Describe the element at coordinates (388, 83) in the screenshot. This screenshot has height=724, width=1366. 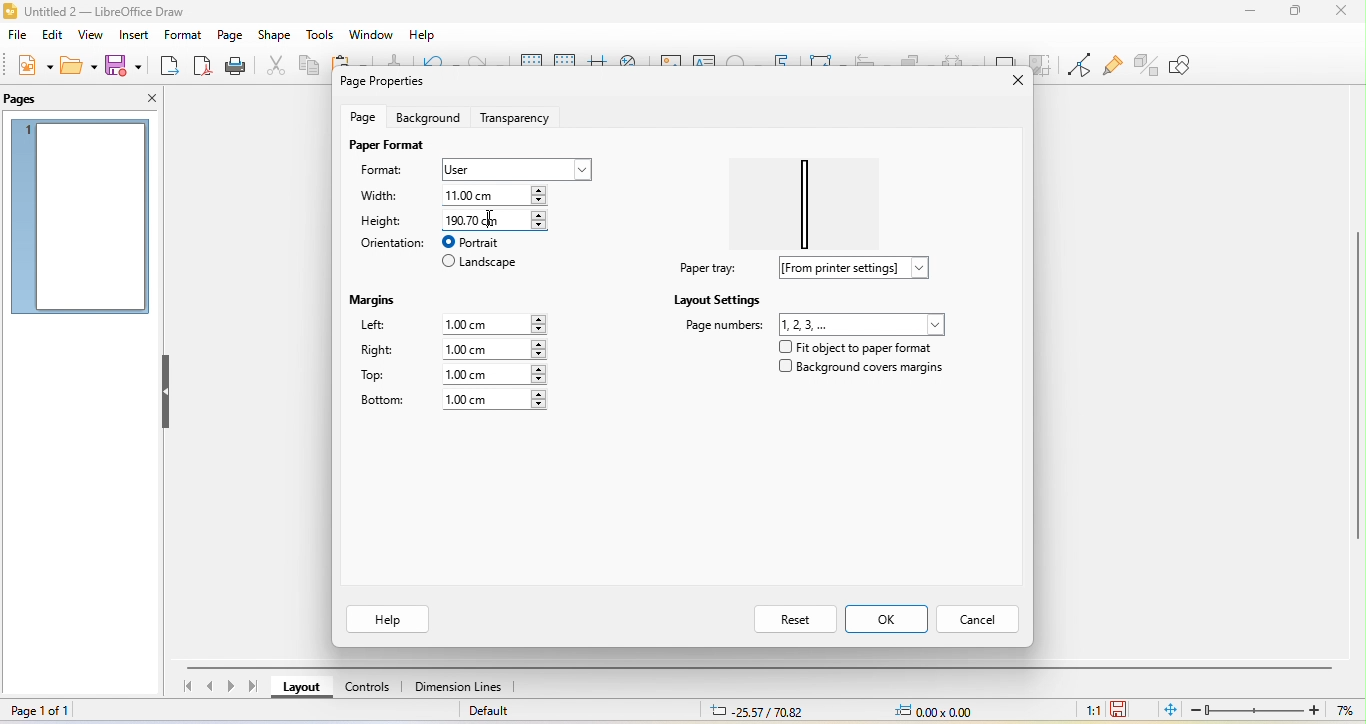
I see `page properties` at that location.